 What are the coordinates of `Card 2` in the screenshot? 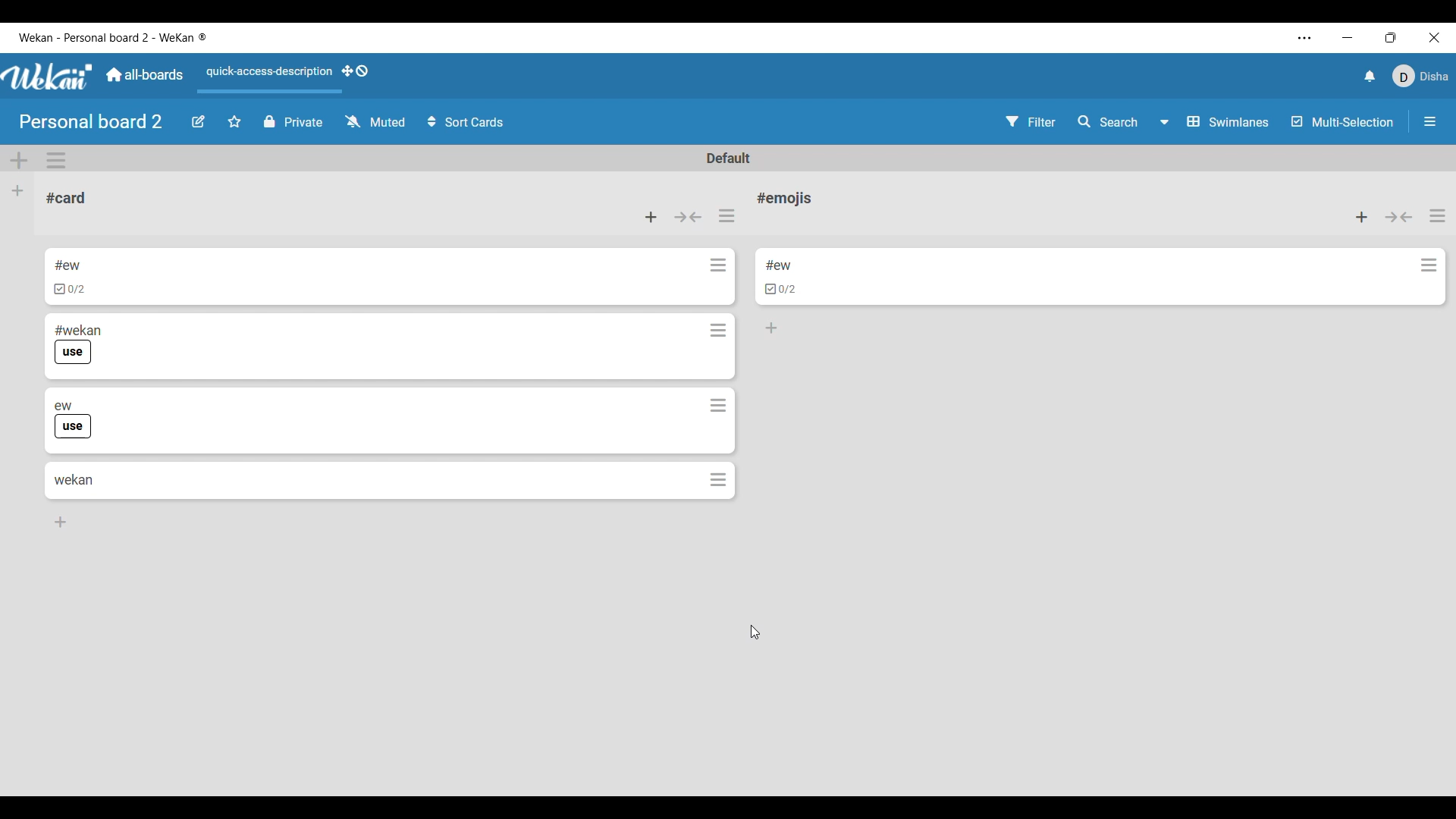 It's located at (127, 328).